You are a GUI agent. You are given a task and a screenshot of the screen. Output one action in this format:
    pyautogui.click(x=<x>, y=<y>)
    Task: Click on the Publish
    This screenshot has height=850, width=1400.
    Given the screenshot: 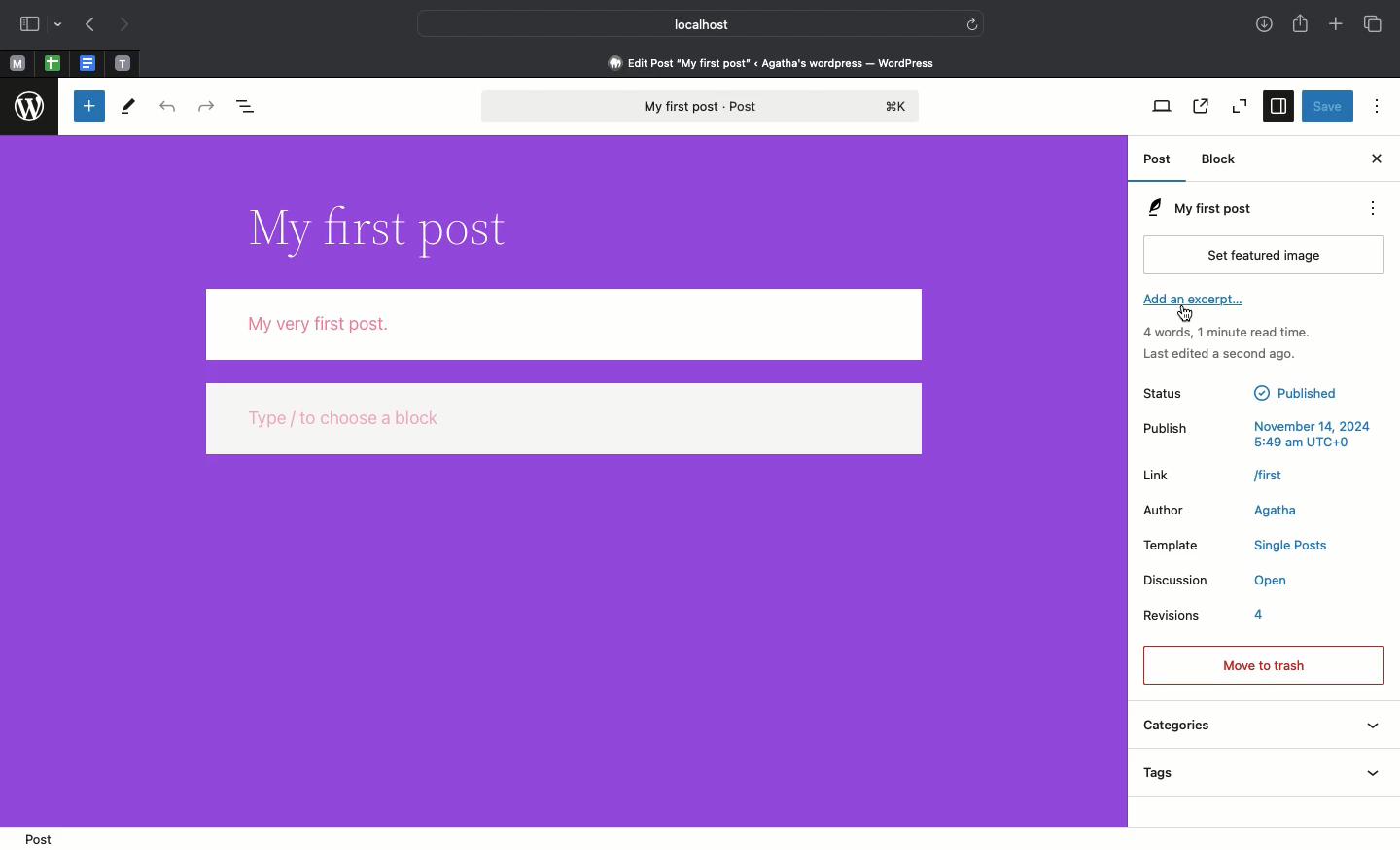 What is the action you would take?
    pyautogui.click(x=1257, y=432)
    